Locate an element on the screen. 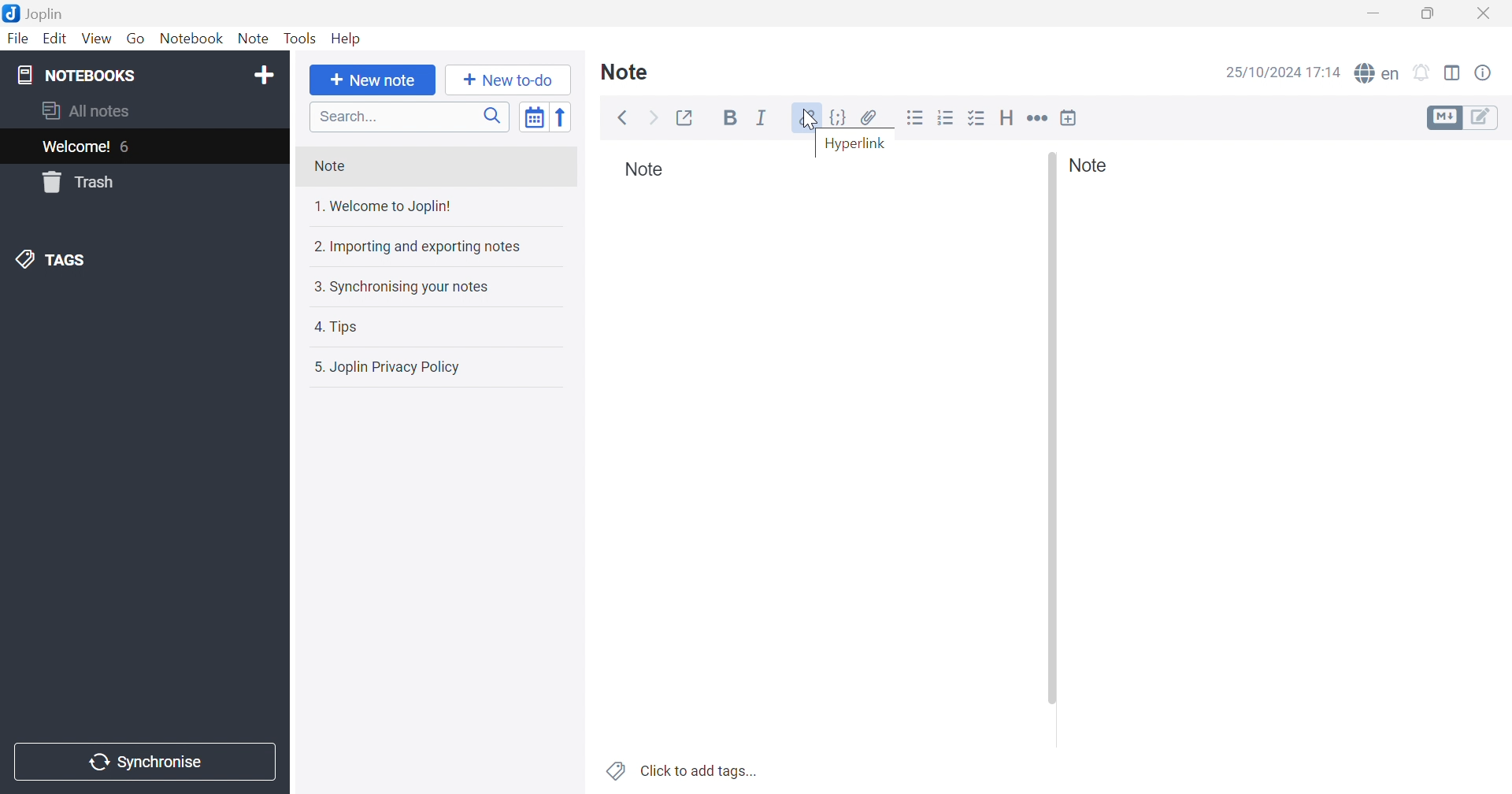 This screenshot has width=1512, height=794. Attach file is located at coordinates (869, 116).